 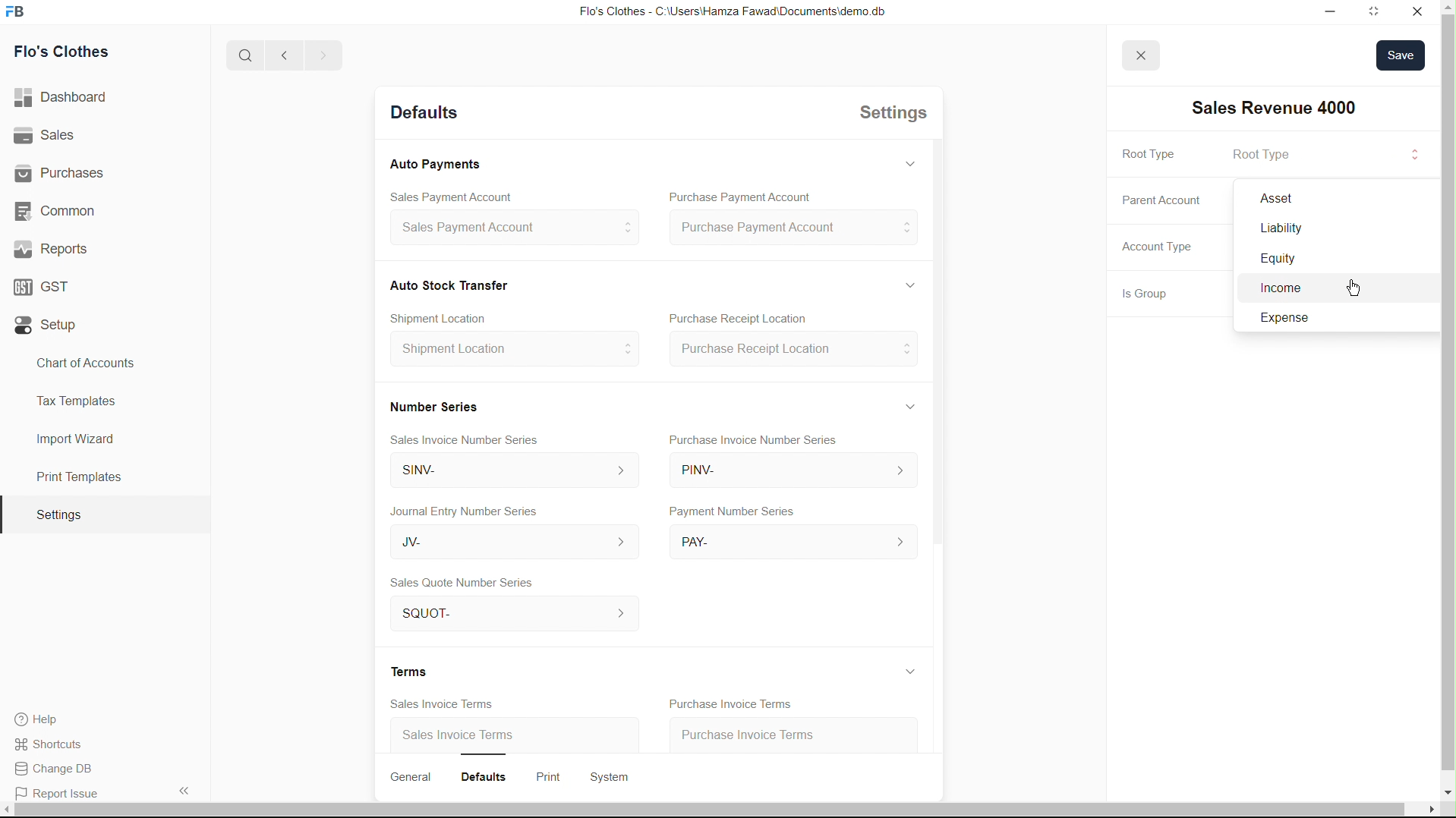 I want to click on PINV-, so click(x=799, y=473).